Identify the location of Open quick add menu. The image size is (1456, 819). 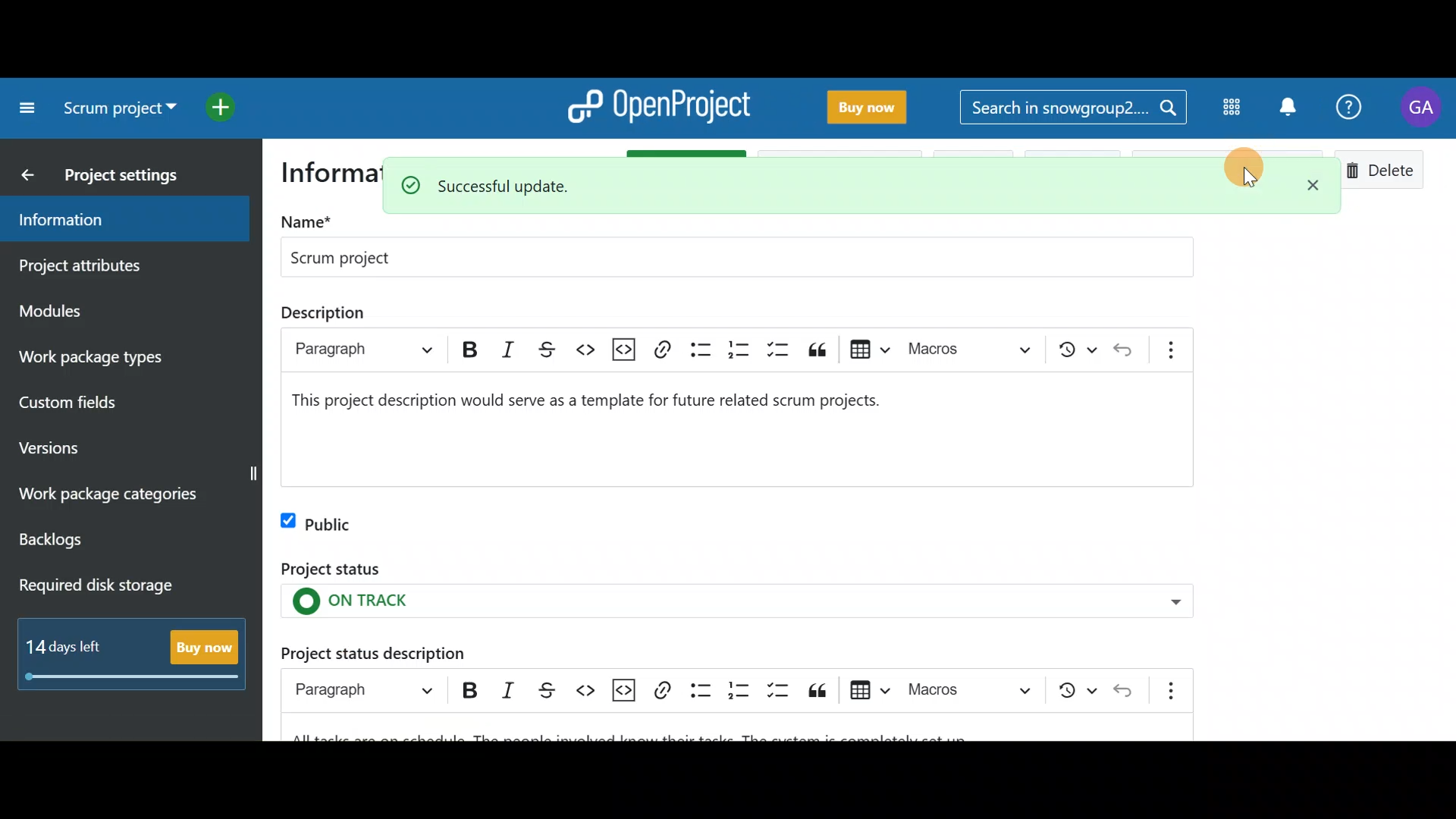
(235, 108).